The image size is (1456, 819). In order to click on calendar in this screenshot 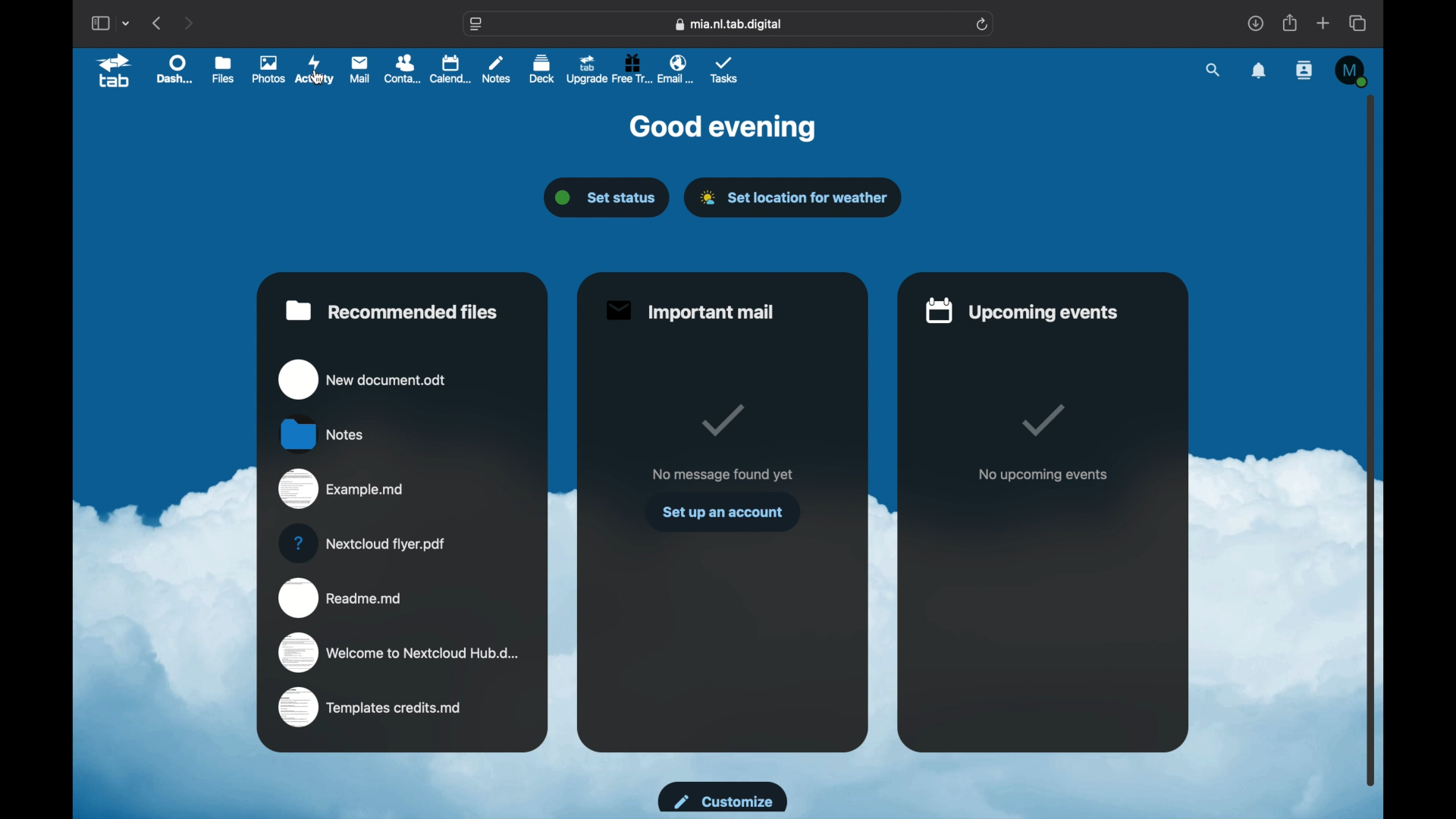, I will do `click(451, 69)`.